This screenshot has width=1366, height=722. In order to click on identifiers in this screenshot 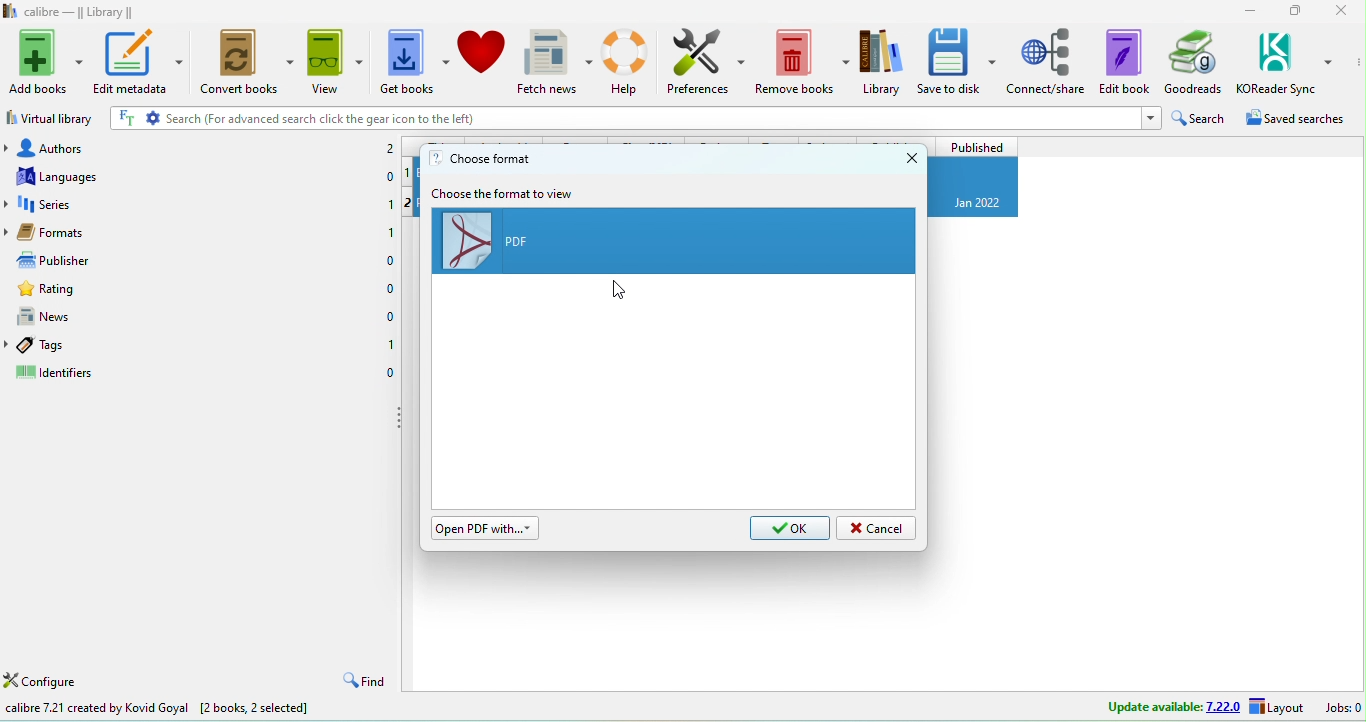, I will do `click(61, 374)`.